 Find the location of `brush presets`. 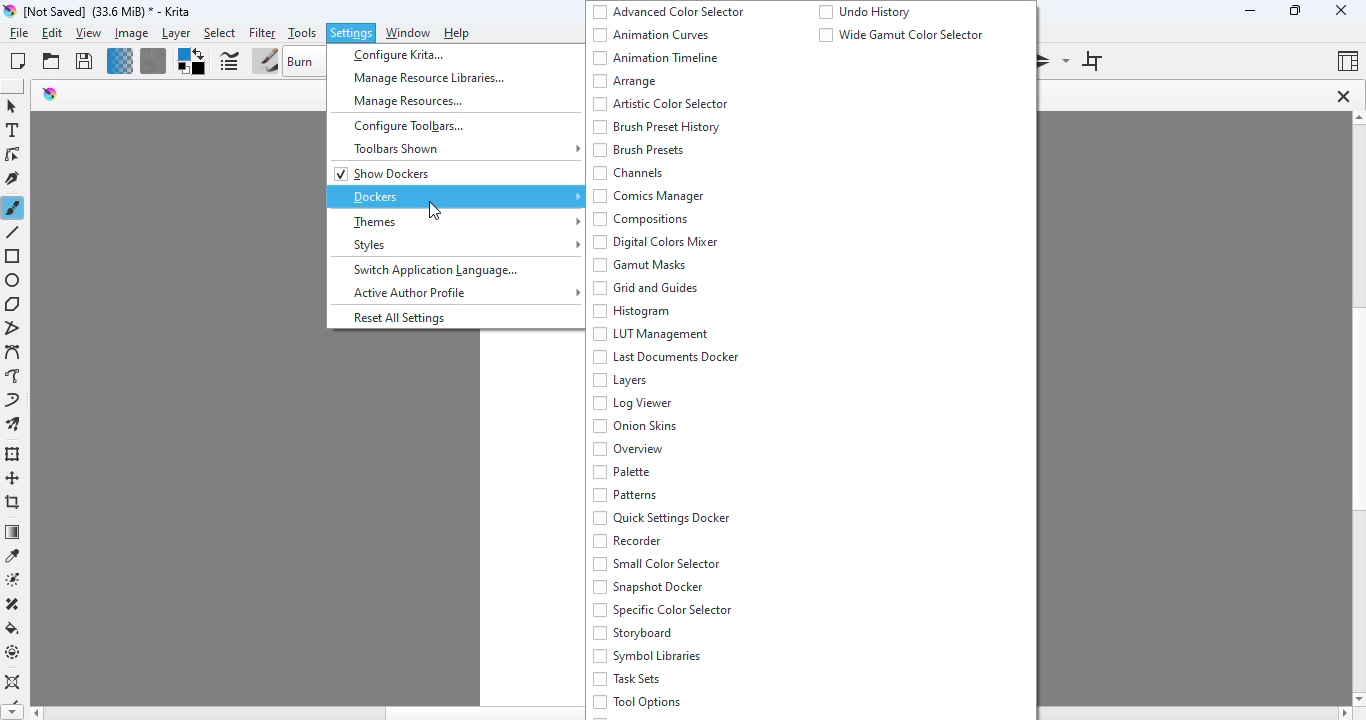

brush presets is located at coordinates (639, 150).